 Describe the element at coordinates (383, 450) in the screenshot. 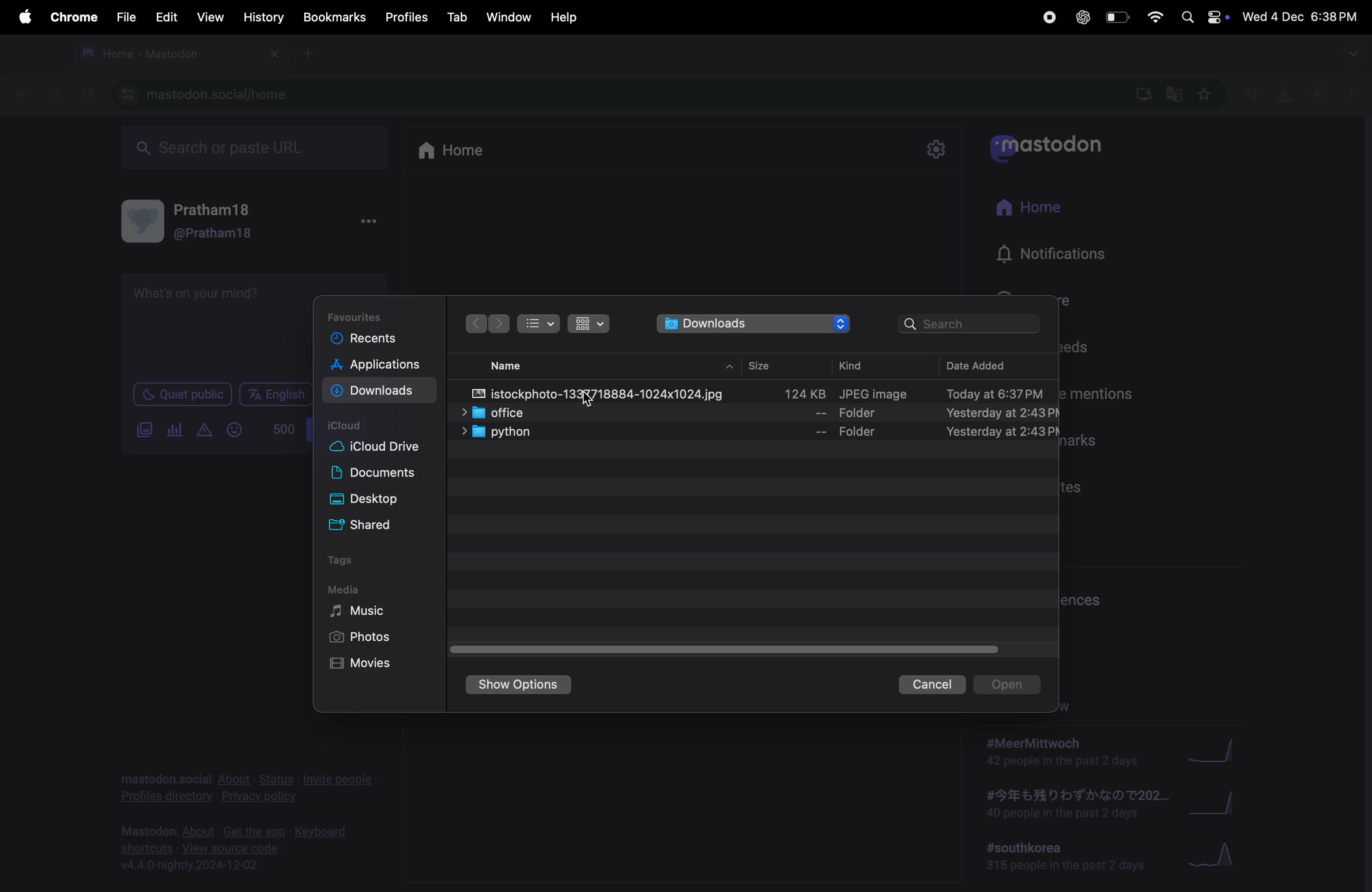

I see `i cloud drive` at that location.